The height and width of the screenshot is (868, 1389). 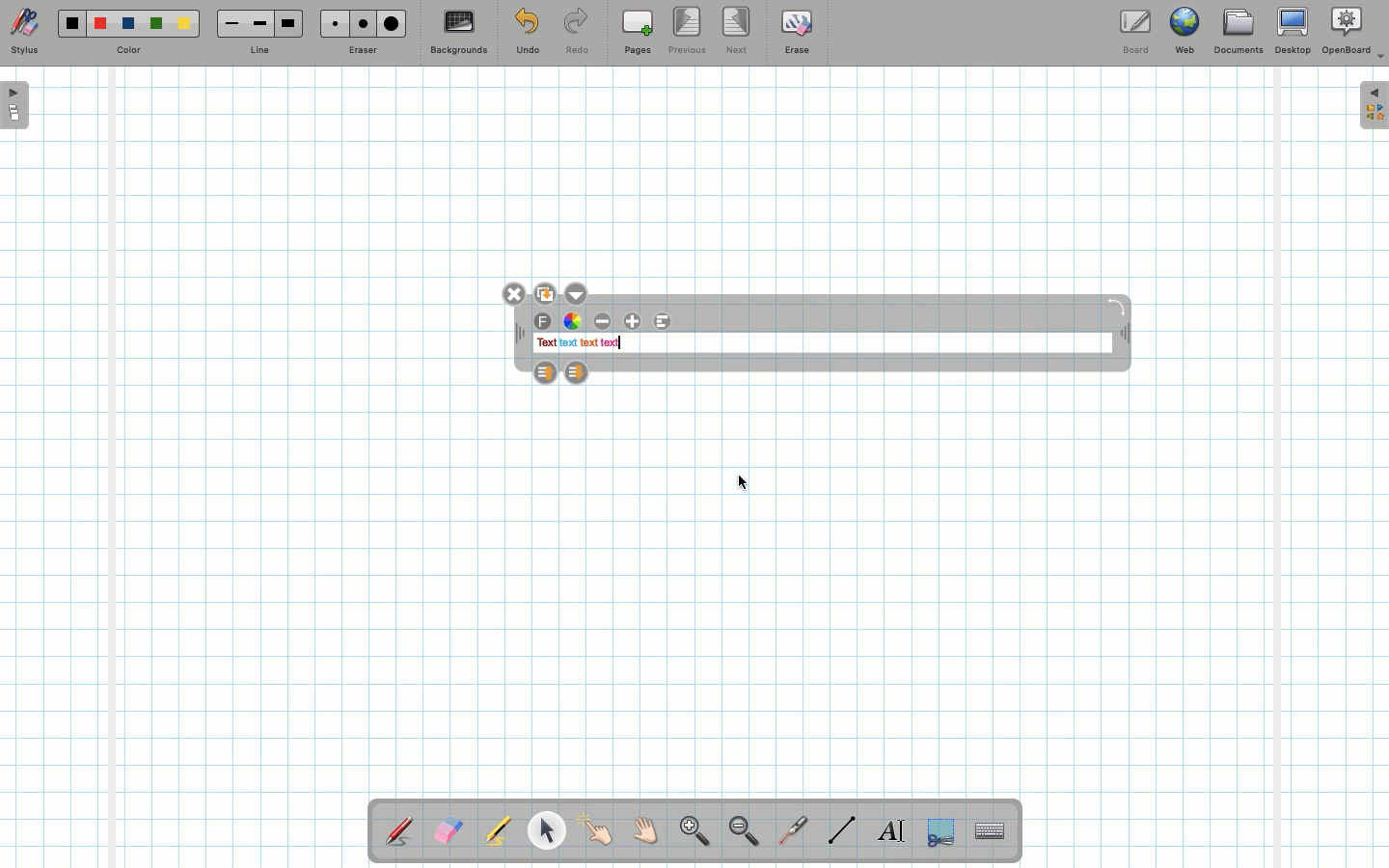 What do you see at coordinates (596, 830) in the screenshot?
I see `Pointer` at bounding box center [596, 830].